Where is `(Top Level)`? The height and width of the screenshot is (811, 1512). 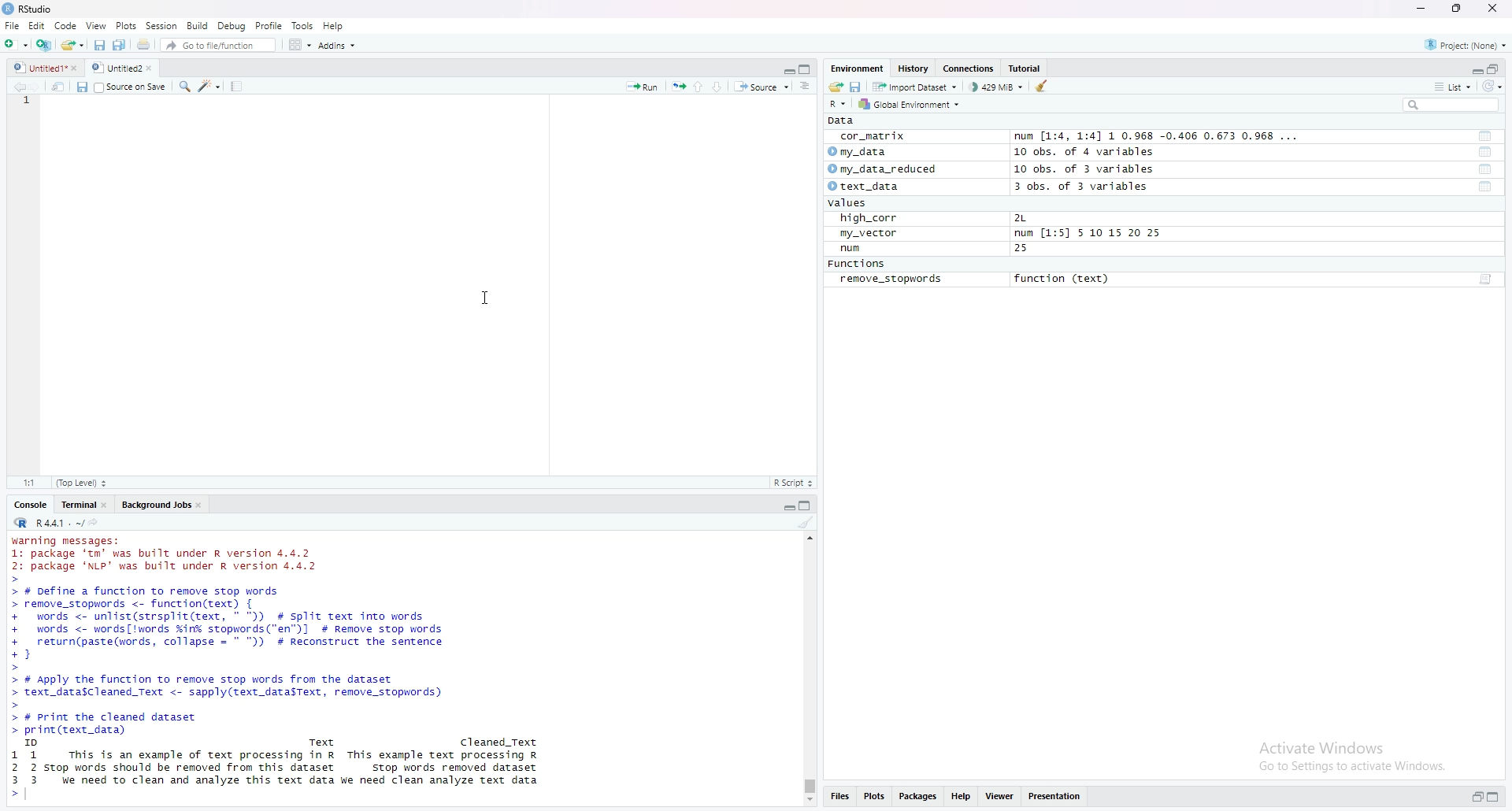
(Top Level) is located at coordinates (81, 483).